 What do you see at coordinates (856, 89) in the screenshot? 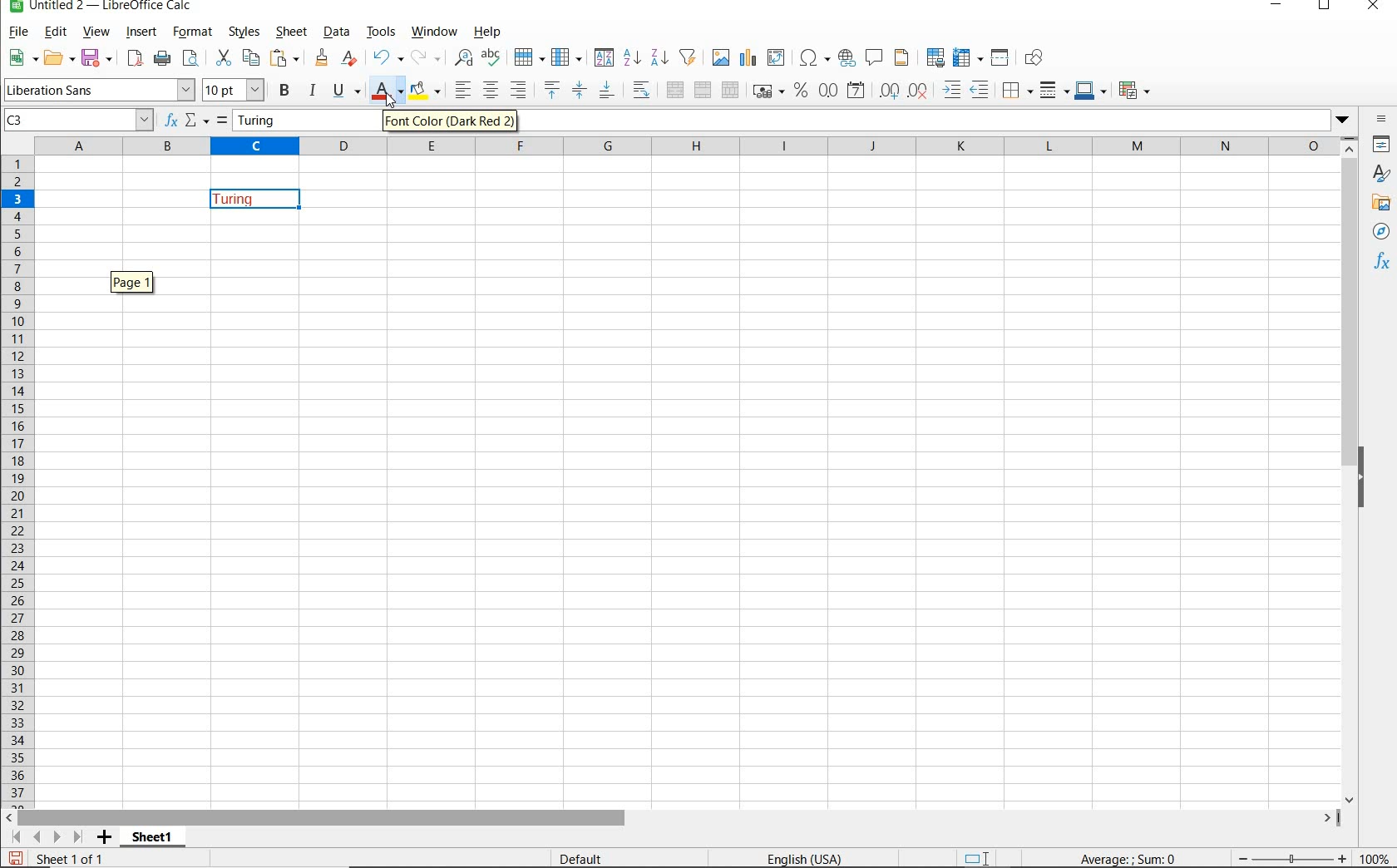
I see `FORMAT AS DATE` at bounding box center [856, 89].